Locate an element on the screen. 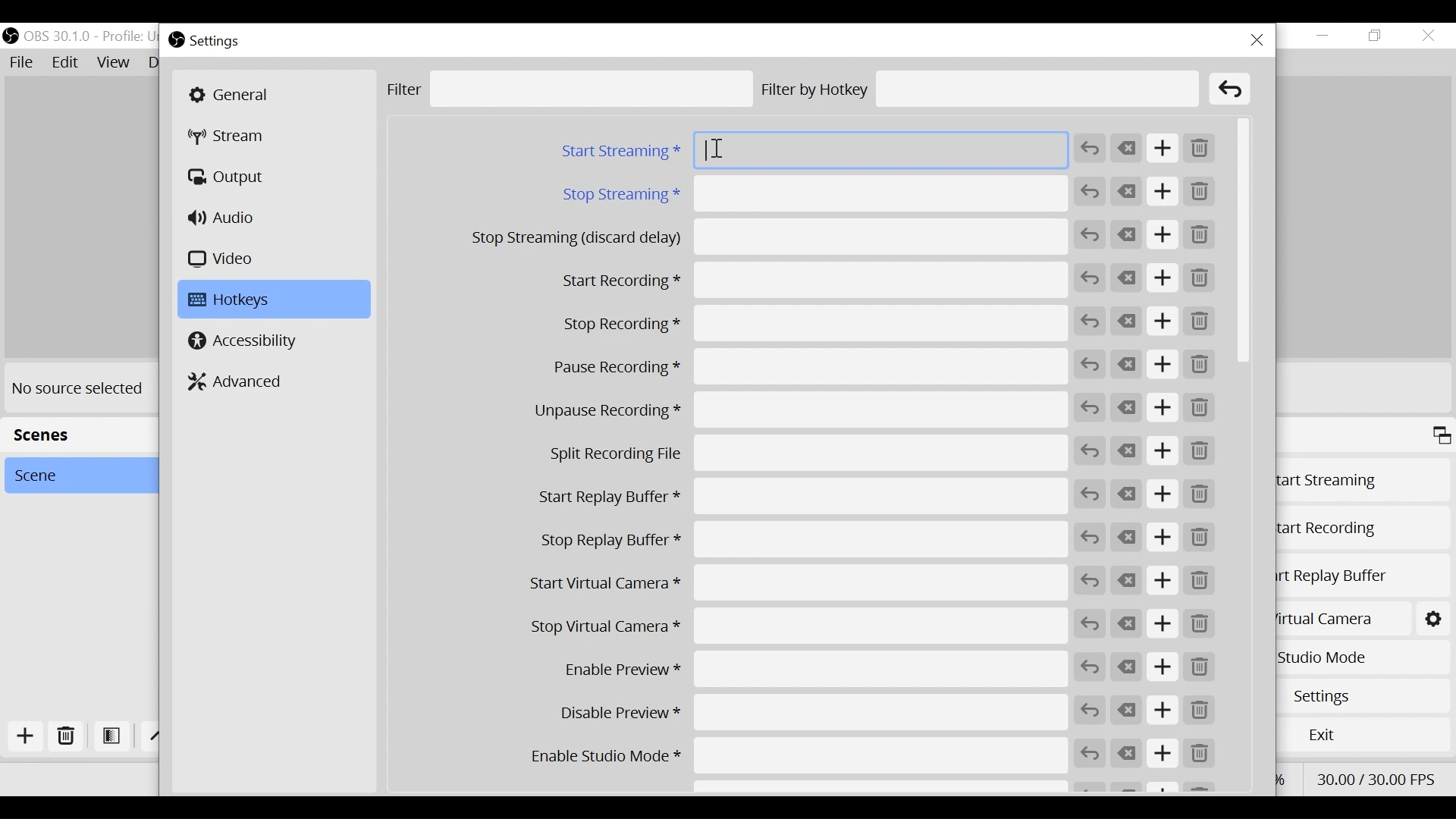  Clear is located at coordinates (1128, 191).